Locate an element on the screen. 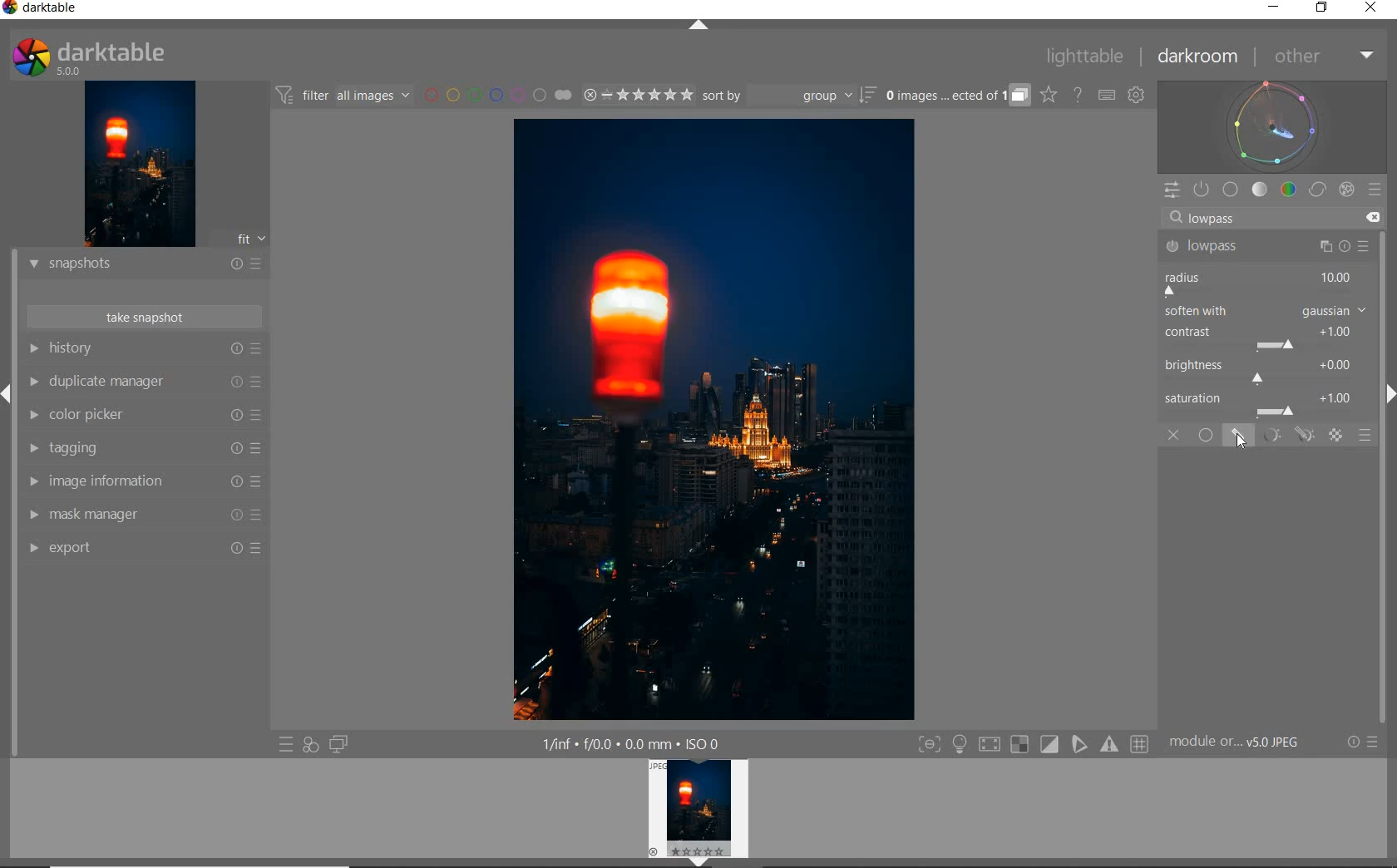 The image size is (1397, 868). EFFECT is located at coordinates (1346, 189).